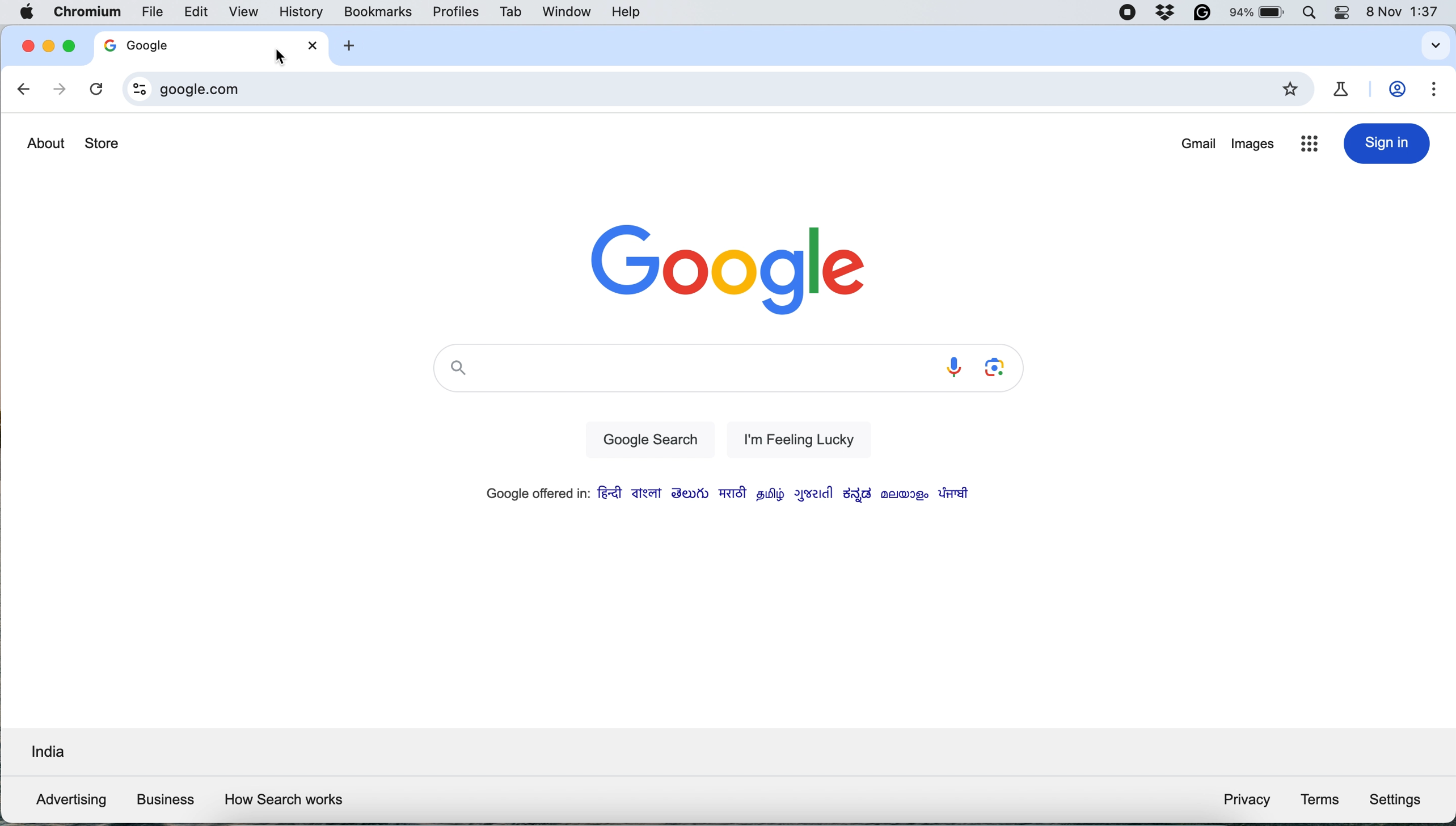 The height and width of the screenshot is (826, 1456). What do you see at coordinates (46, 754) in the screenshot?
I see `search location` at bounding box center [46, 754].